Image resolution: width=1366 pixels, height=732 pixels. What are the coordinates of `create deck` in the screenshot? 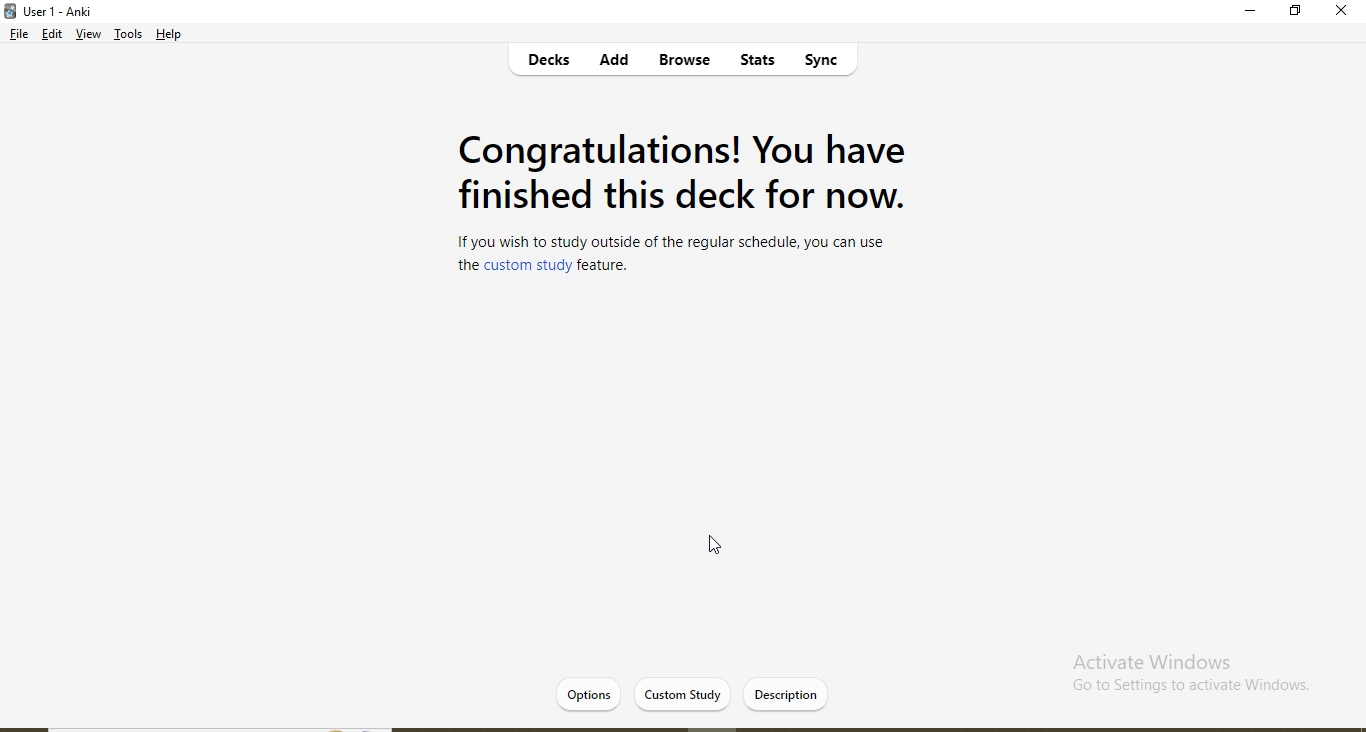 It's located at (696, 693).